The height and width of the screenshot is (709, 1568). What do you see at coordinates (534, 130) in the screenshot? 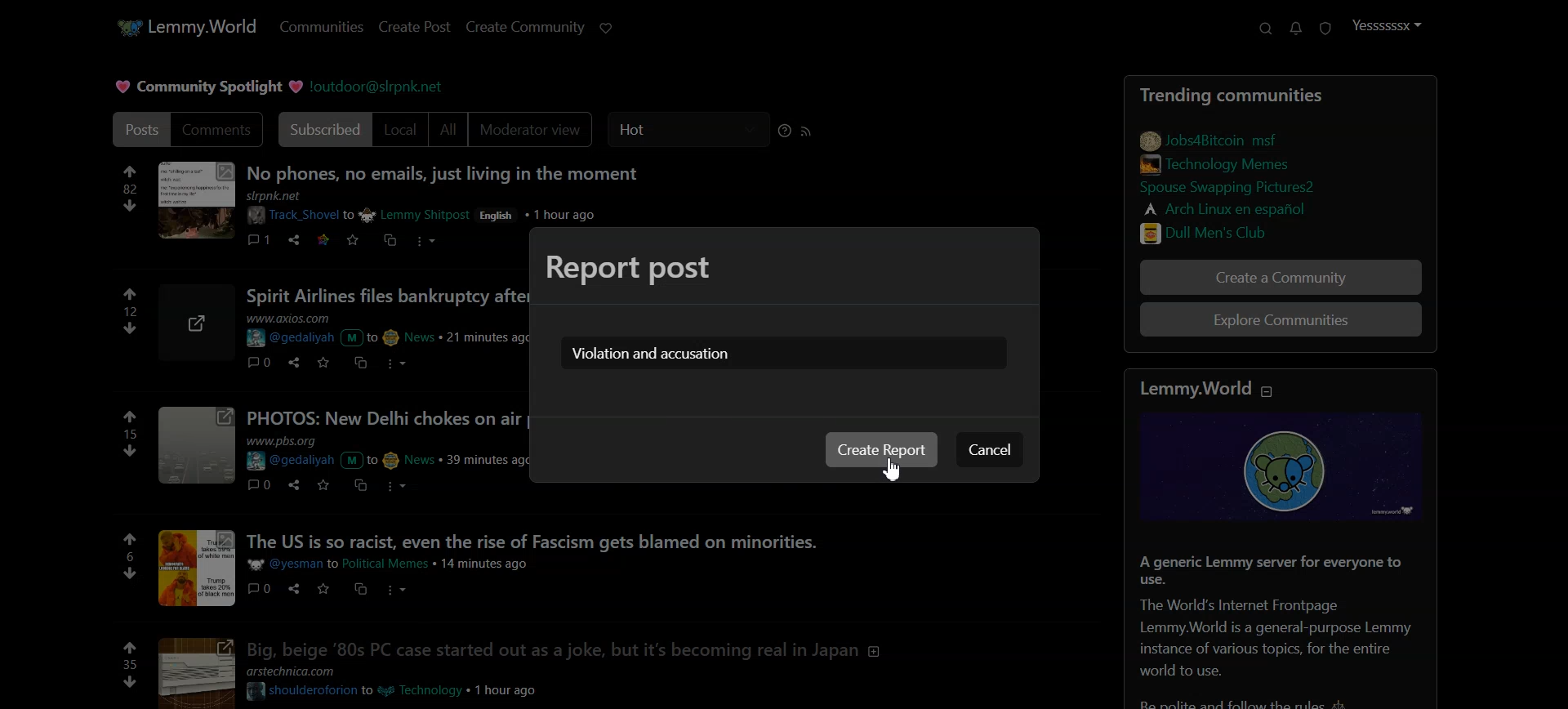
I see `Moderator View` at bounding box center [534, 130].